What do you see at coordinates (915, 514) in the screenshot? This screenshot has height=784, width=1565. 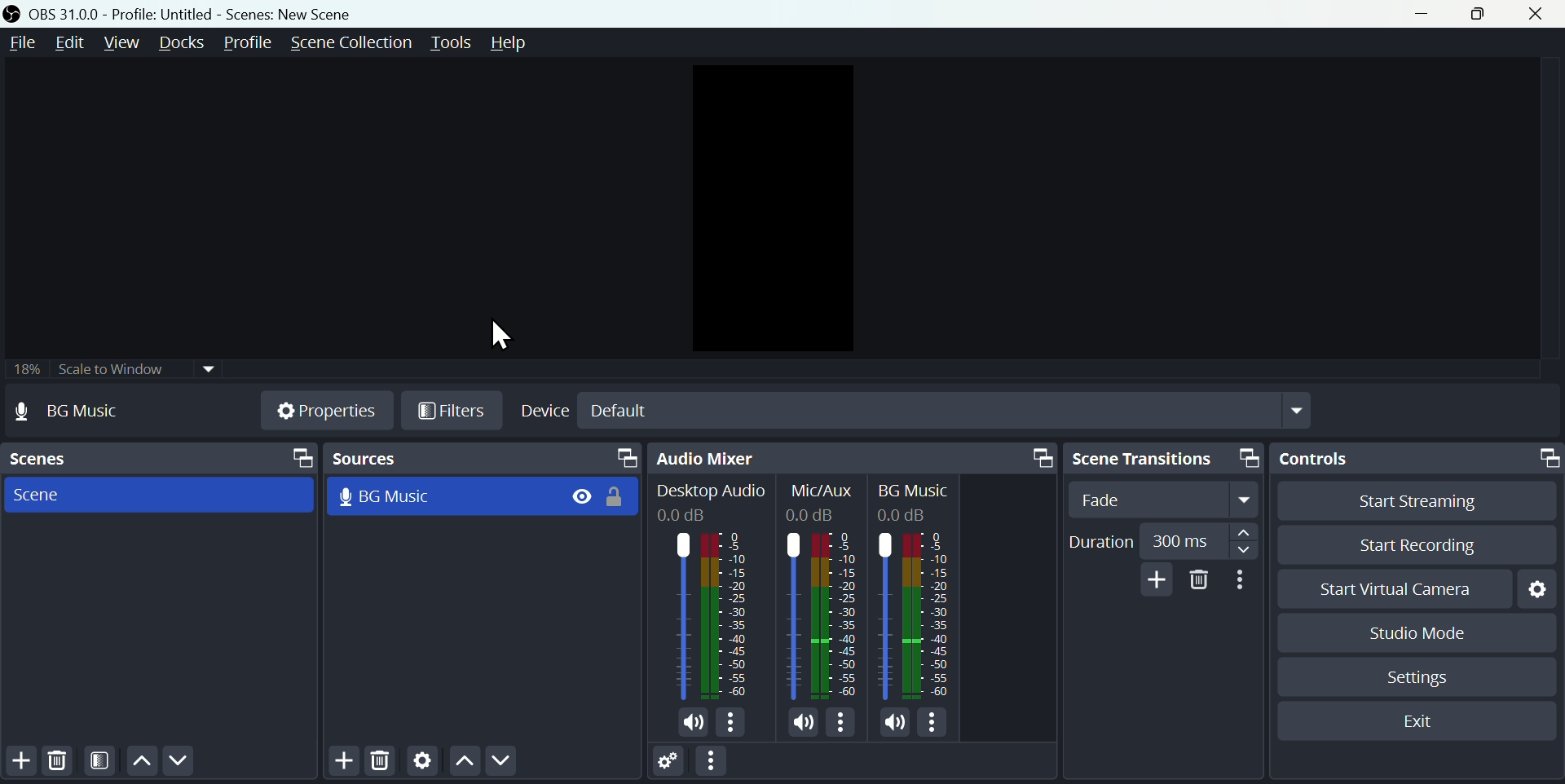 I see `` at bounding box center [915, 514].